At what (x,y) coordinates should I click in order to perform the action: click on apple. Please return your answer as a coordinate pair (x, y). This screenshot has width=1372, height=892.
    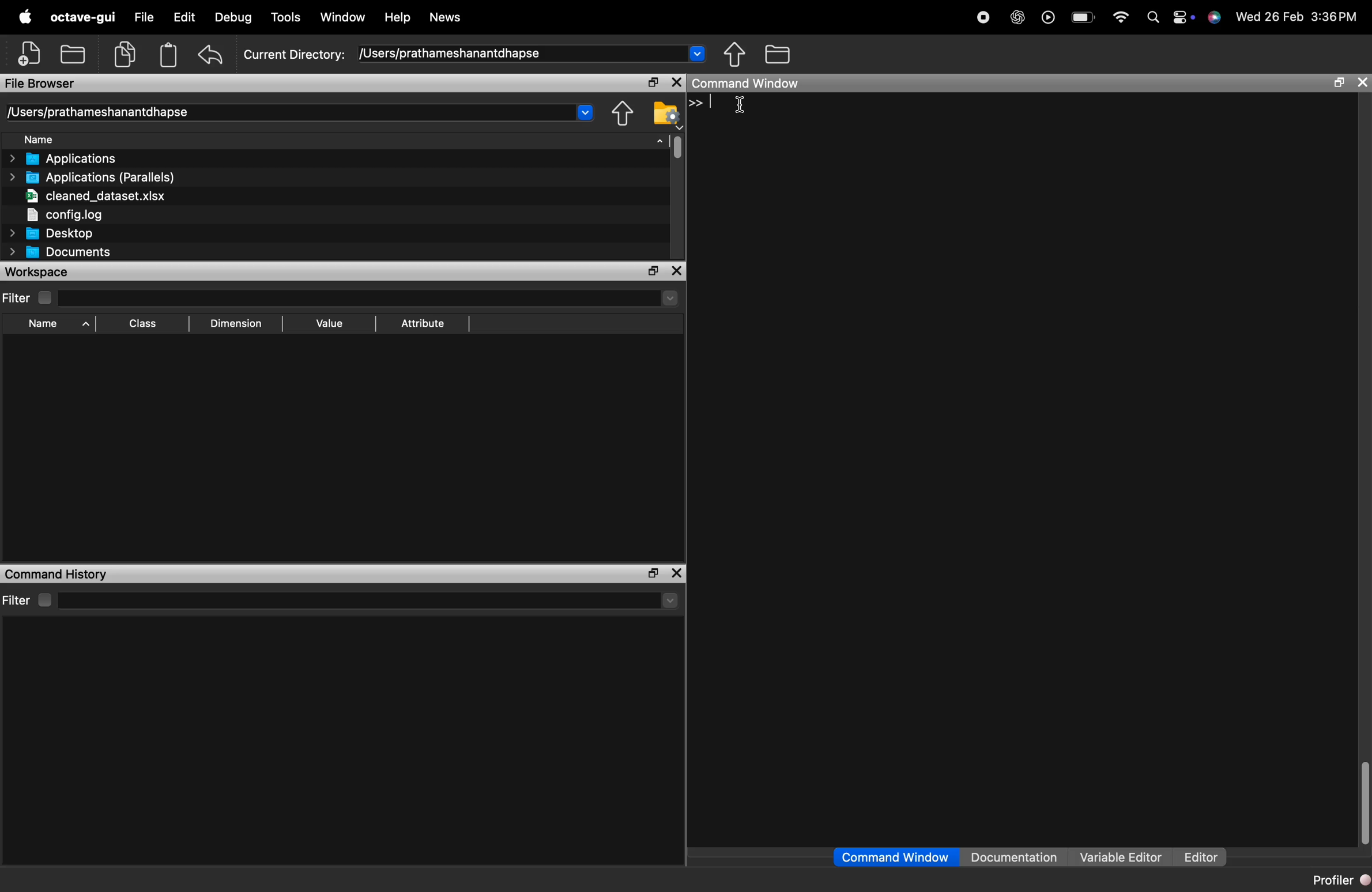
    Looking at the image, I should click on (24, 17).